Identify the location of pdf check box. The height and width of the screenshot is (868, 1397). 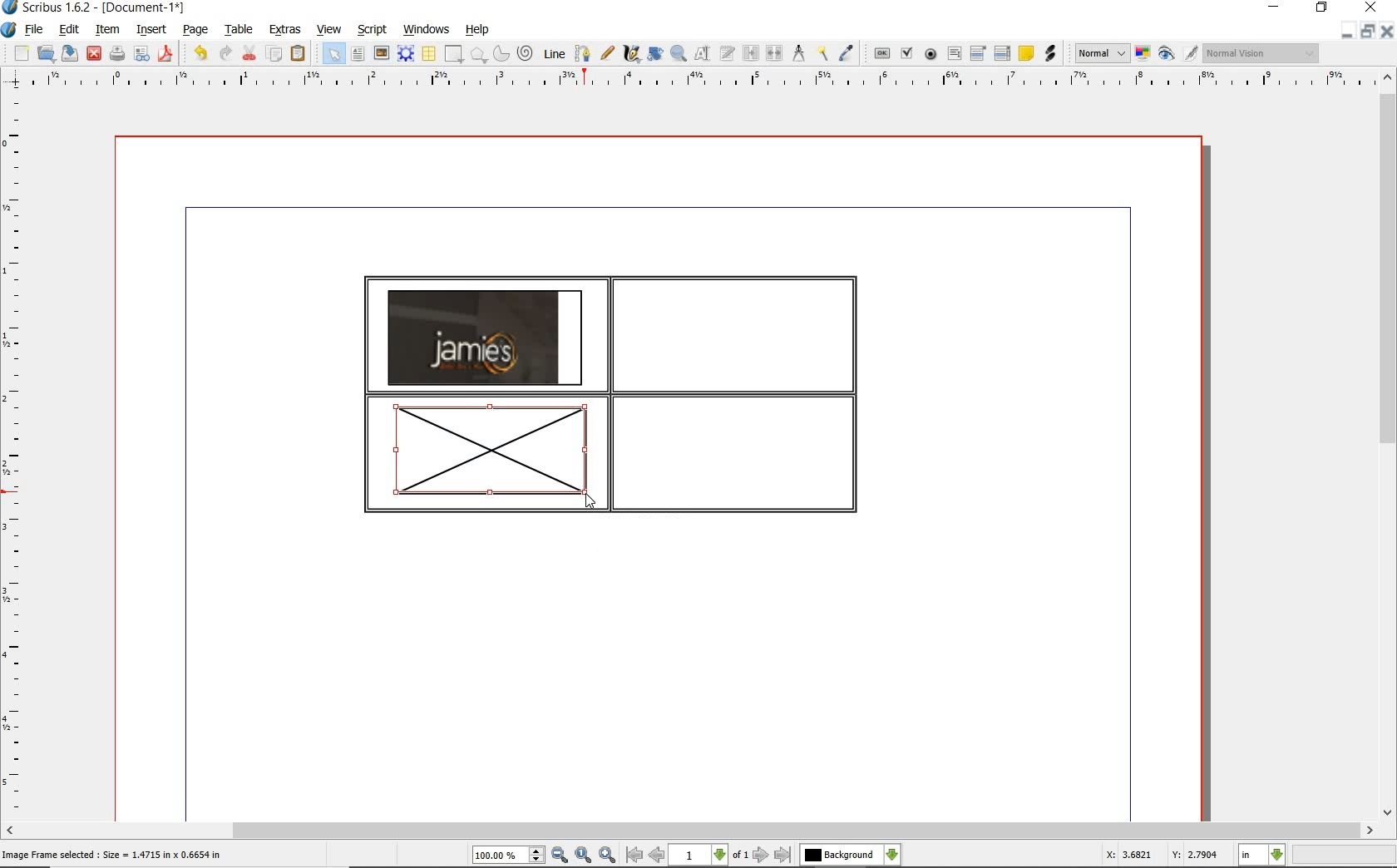
(909, 55).